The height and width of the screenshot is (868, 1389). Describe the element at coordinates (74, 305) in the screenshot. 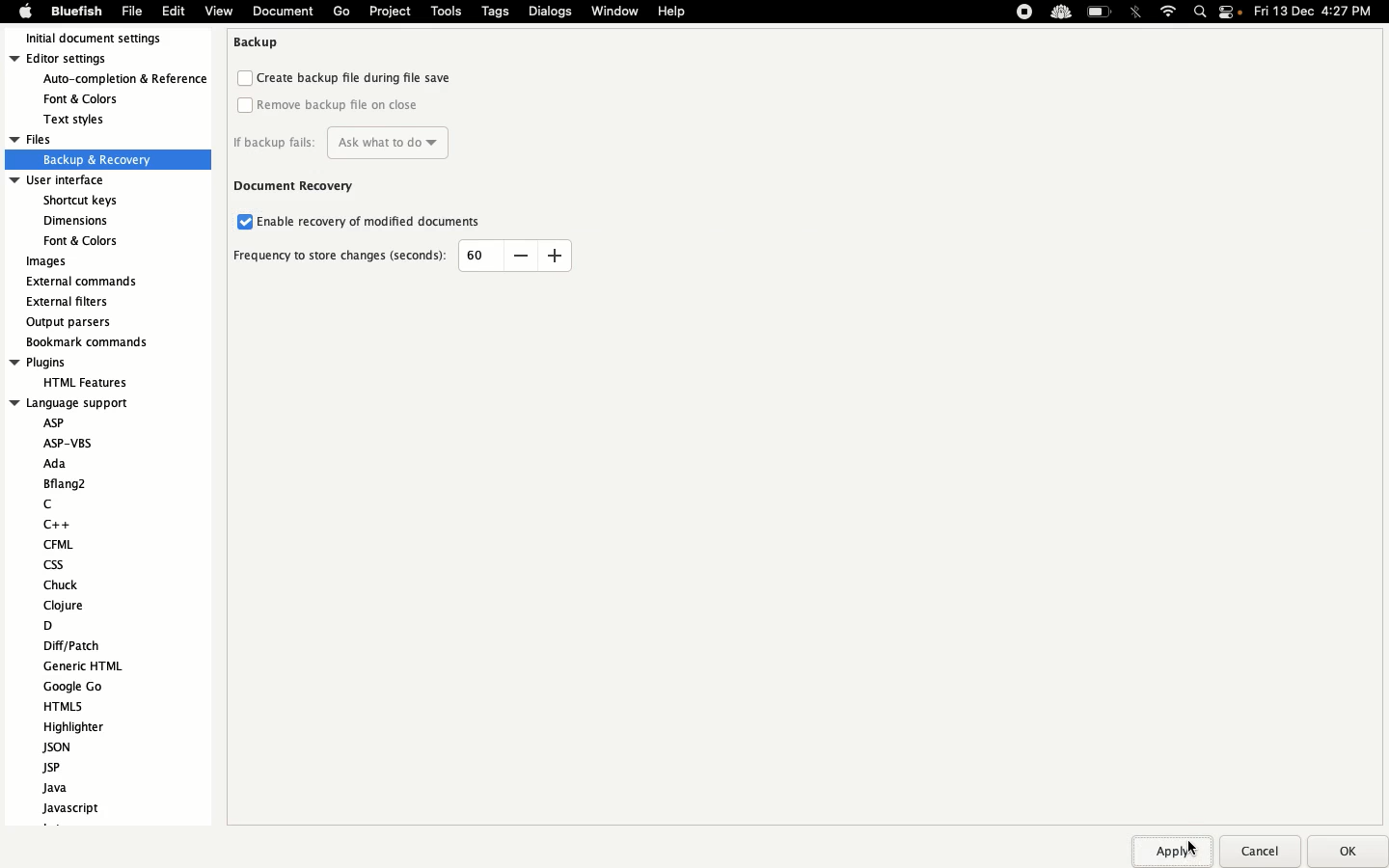

I see `External filters` at that location.